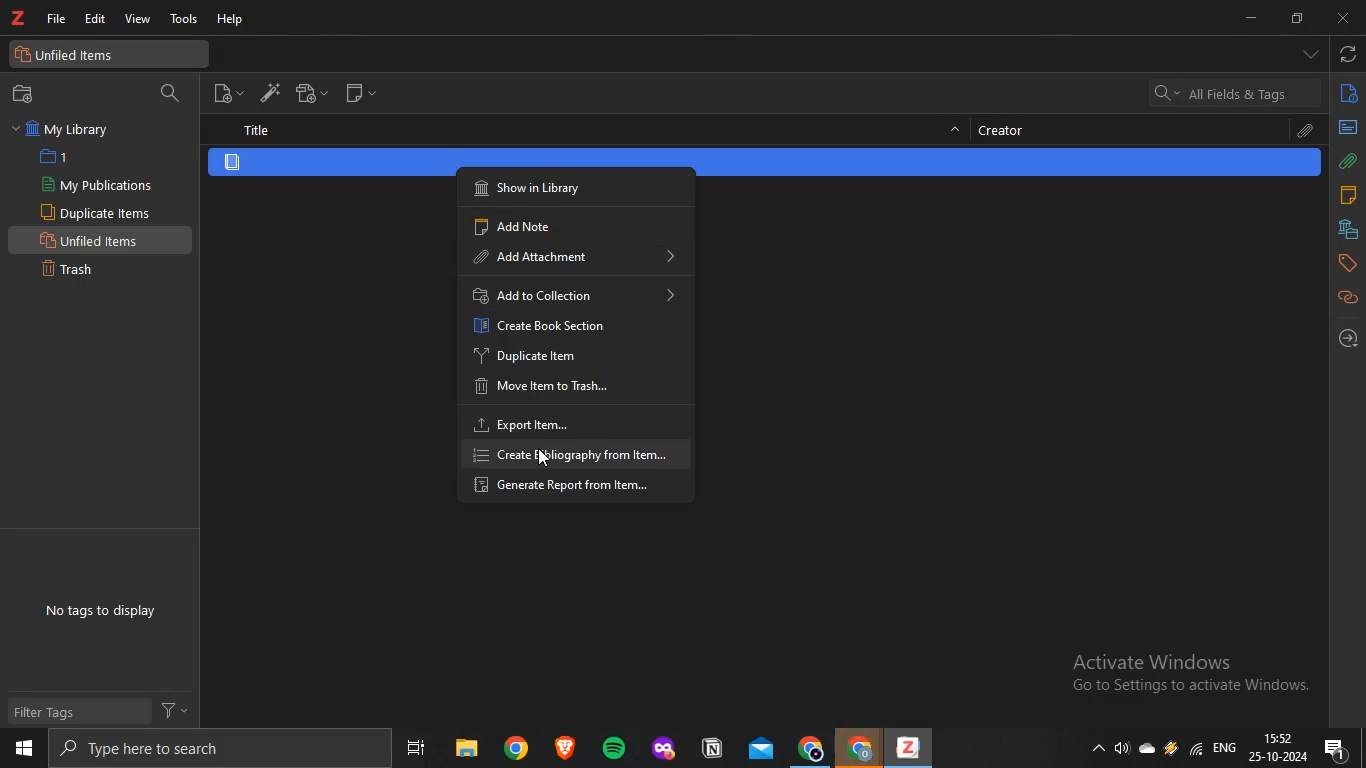 The width and height of the screenshot is (1366, 768). What do you see at coordinates (1124, 749) in the screenshot?
I see `speakers` at bounding box center [1124, 749].